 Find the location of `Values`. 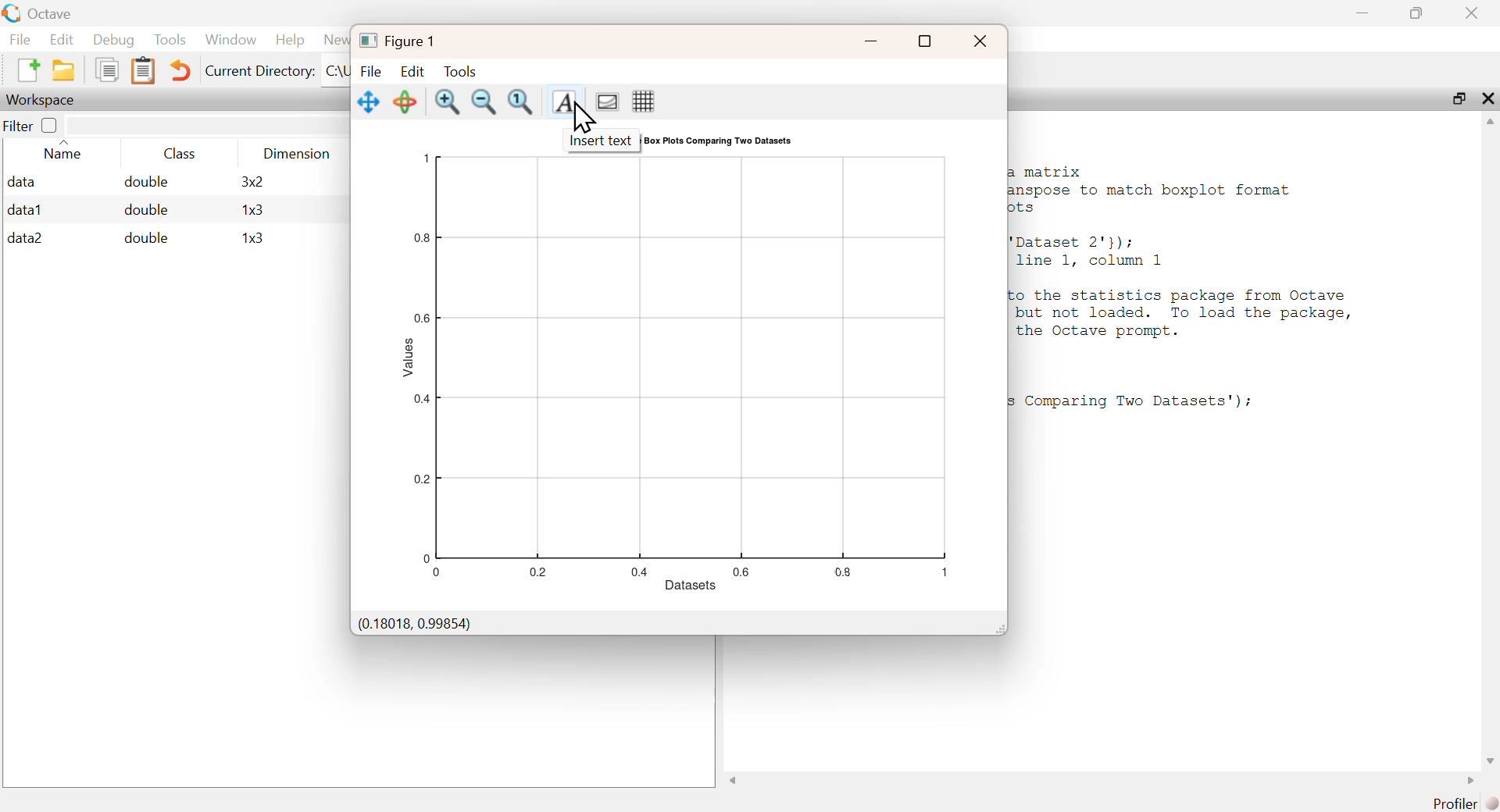

Values is located at coordinates (410, 356).